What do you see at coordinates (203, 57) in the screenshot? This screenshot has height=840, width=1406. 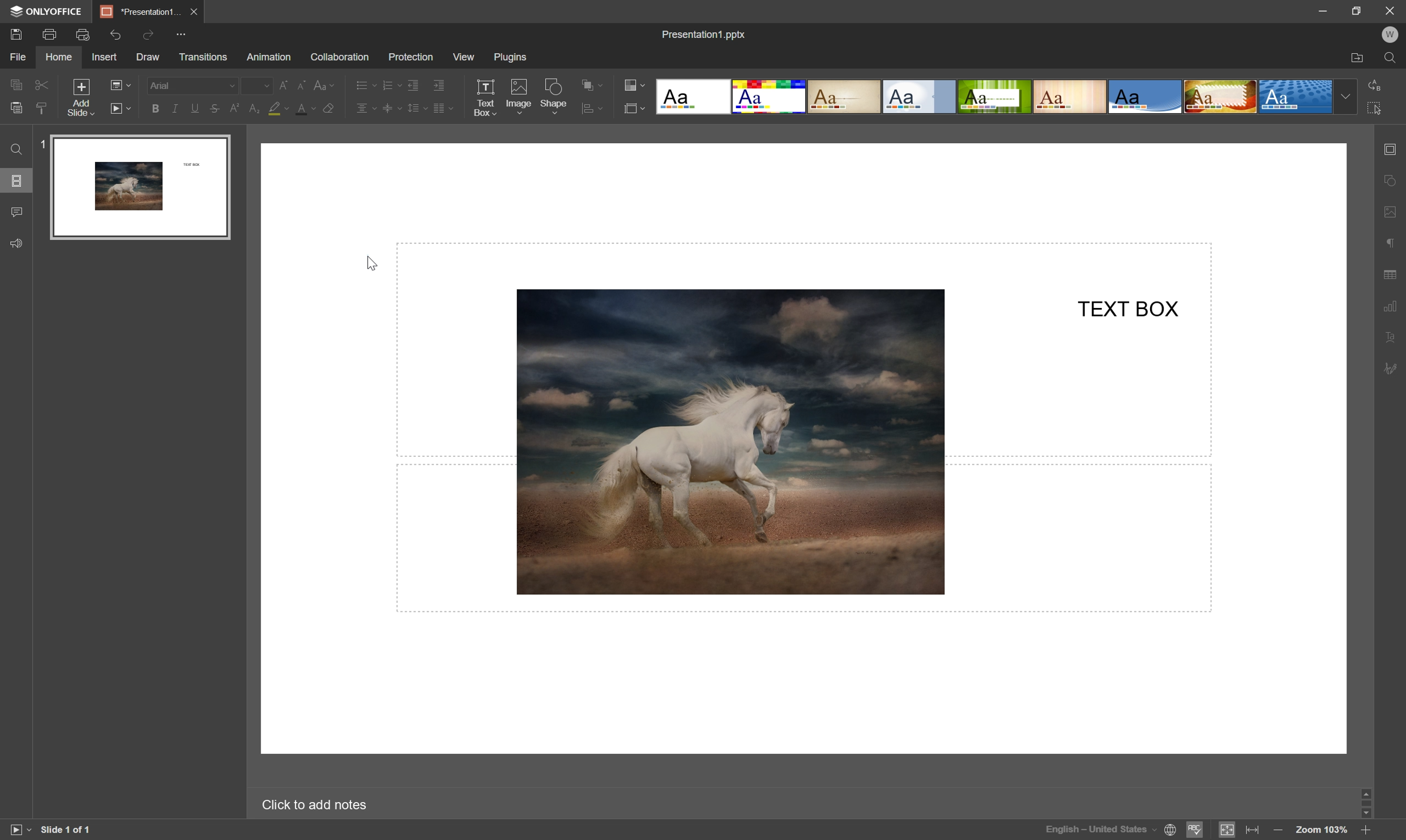 I see `transitions` at bounding box center [203, 57].